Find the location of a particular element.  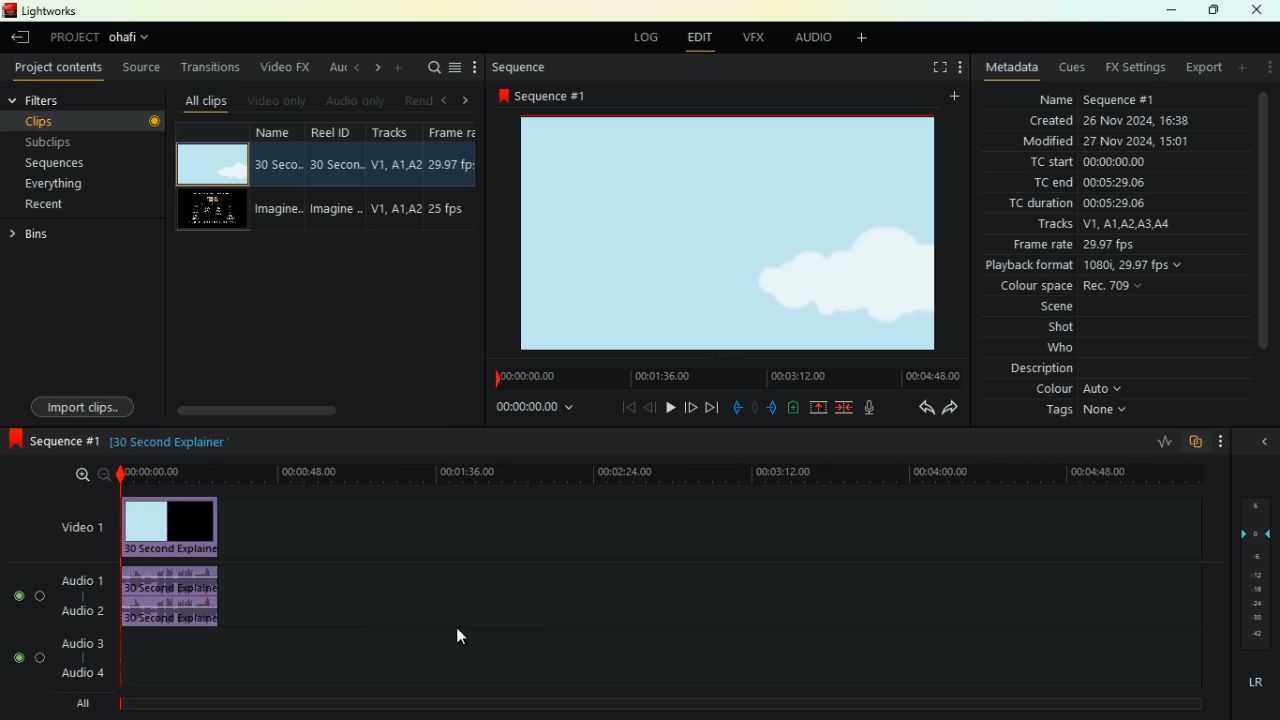

more is located at coordinates (403, 69).